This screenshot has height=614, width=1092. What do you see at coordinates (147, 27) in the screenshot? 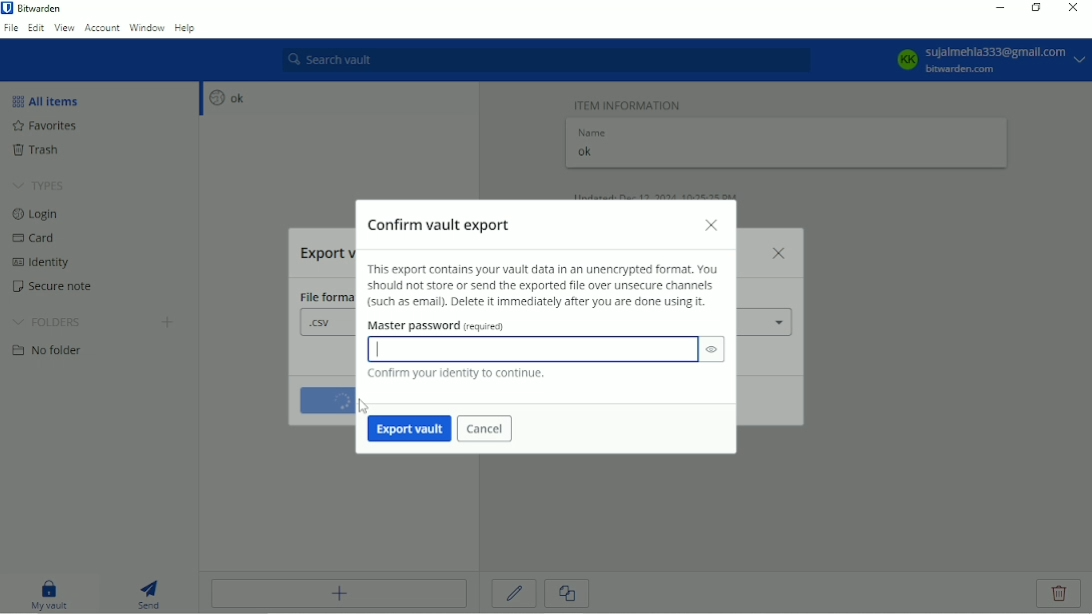
I see `Window` at bounding box center [147, 27].